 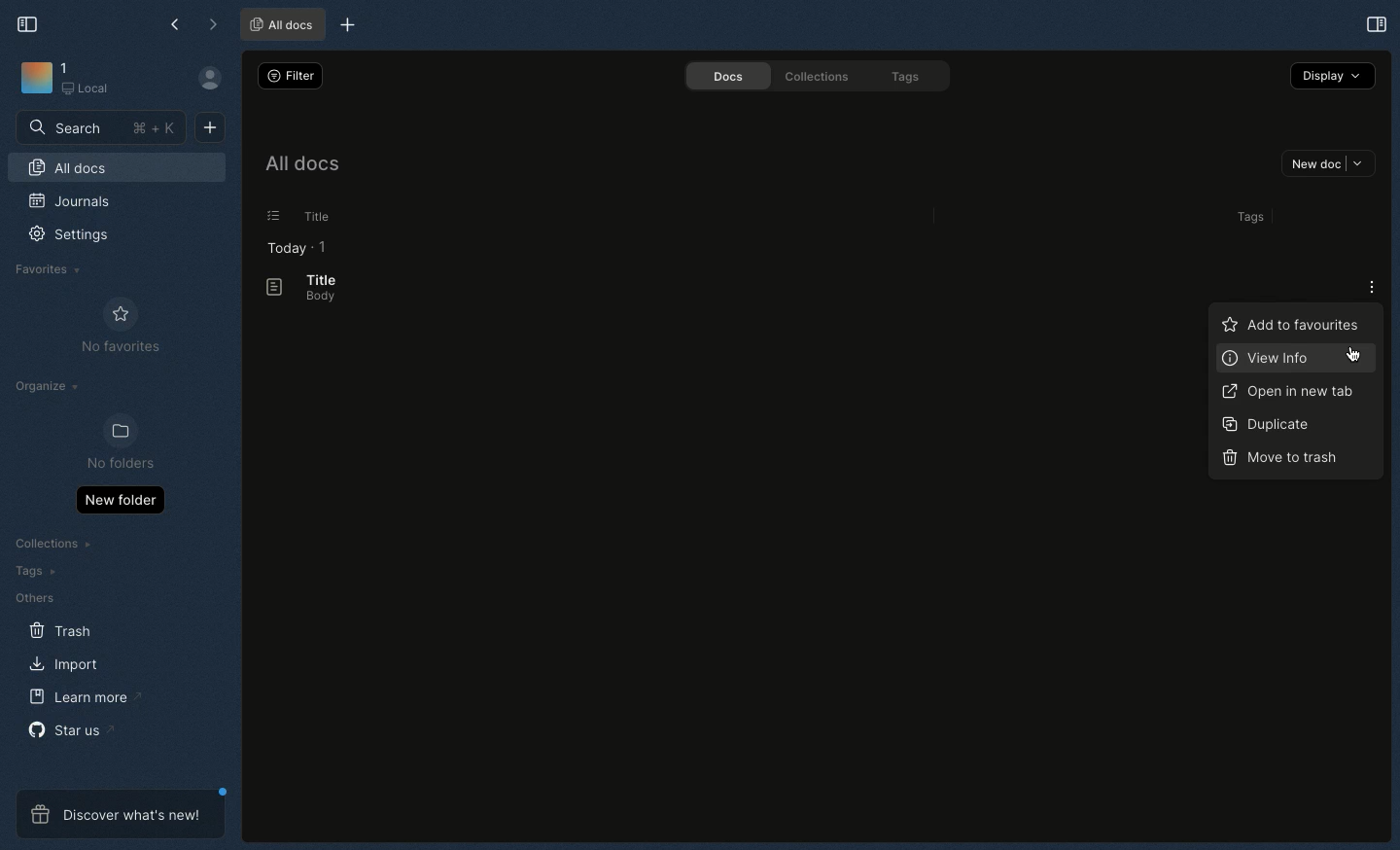 I want to click on Lists, so click(x=267, y=216).